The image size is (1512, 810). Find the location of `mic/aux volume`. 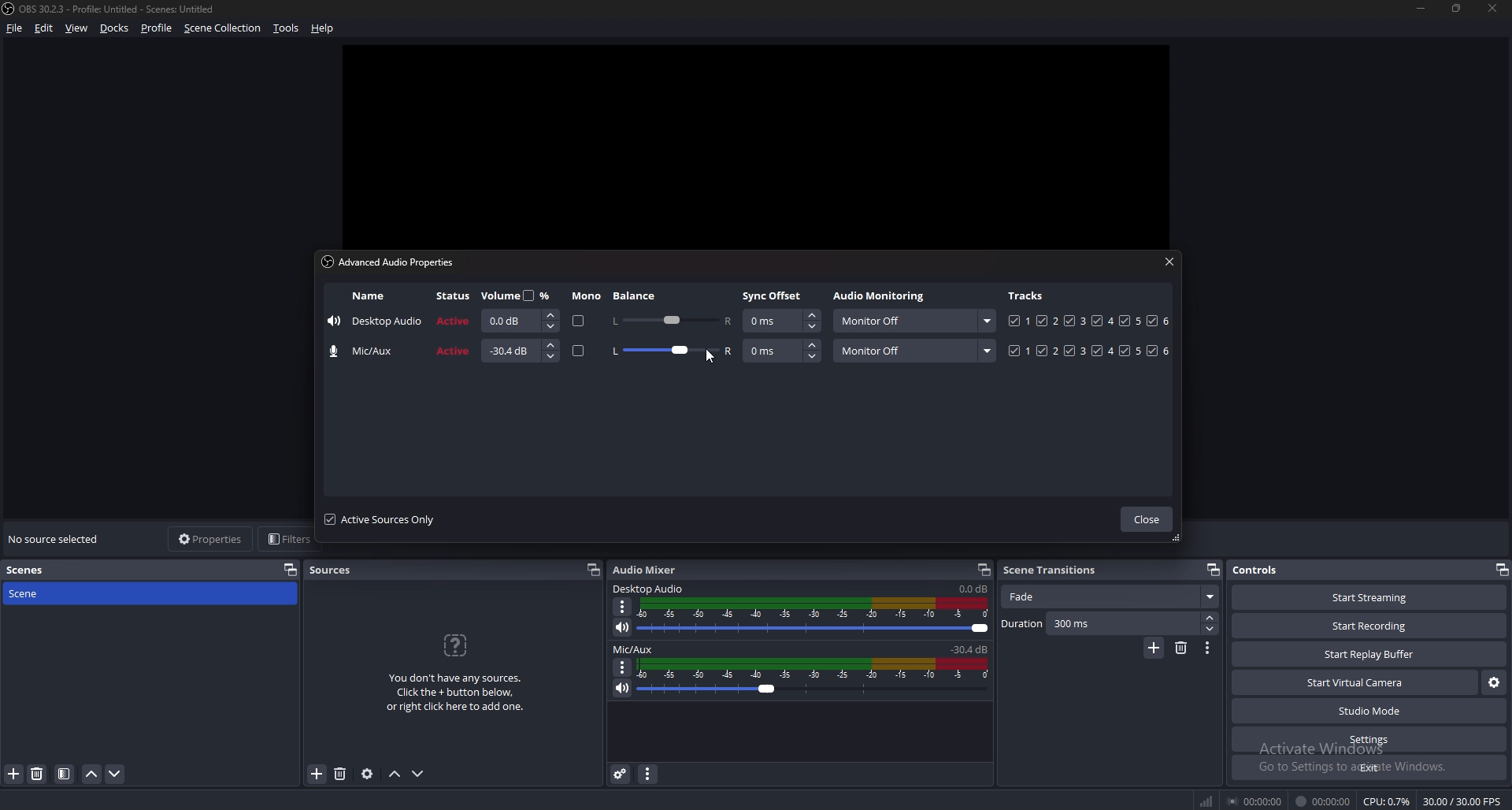

mic/aux volume is located at coordinates (972, 648).